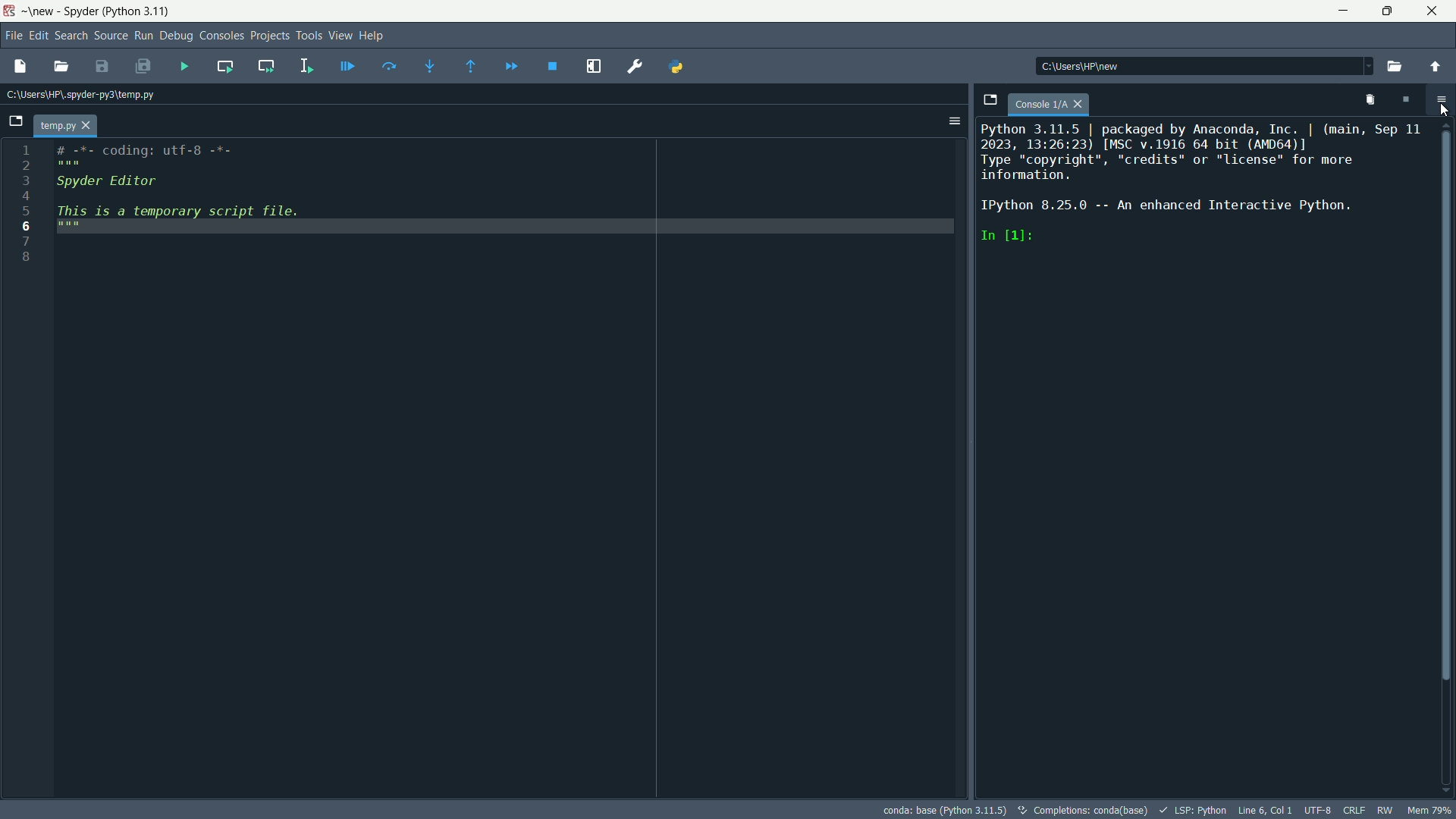  What do you see at coordinates (638, 66) in the screenshot?
I see `preferences` at bounding box center [638, 66].